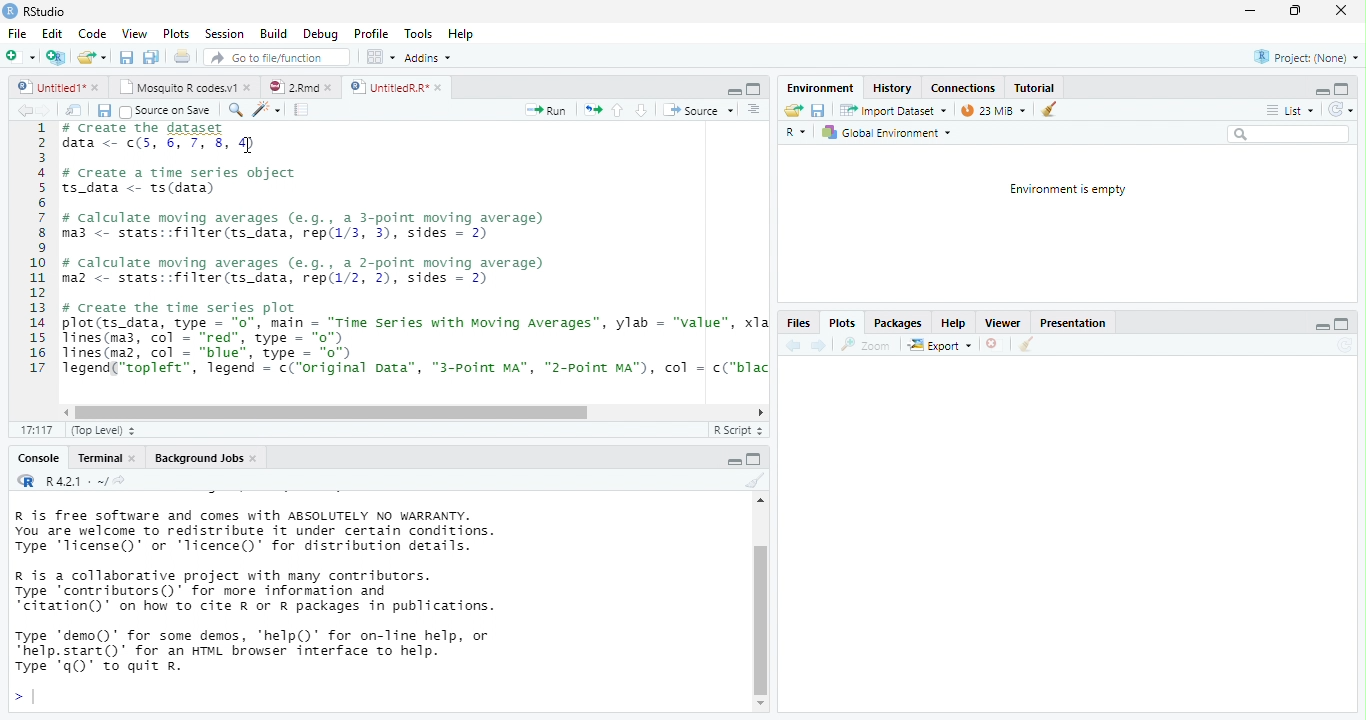  I want to click on code tool, so click(268, 109).